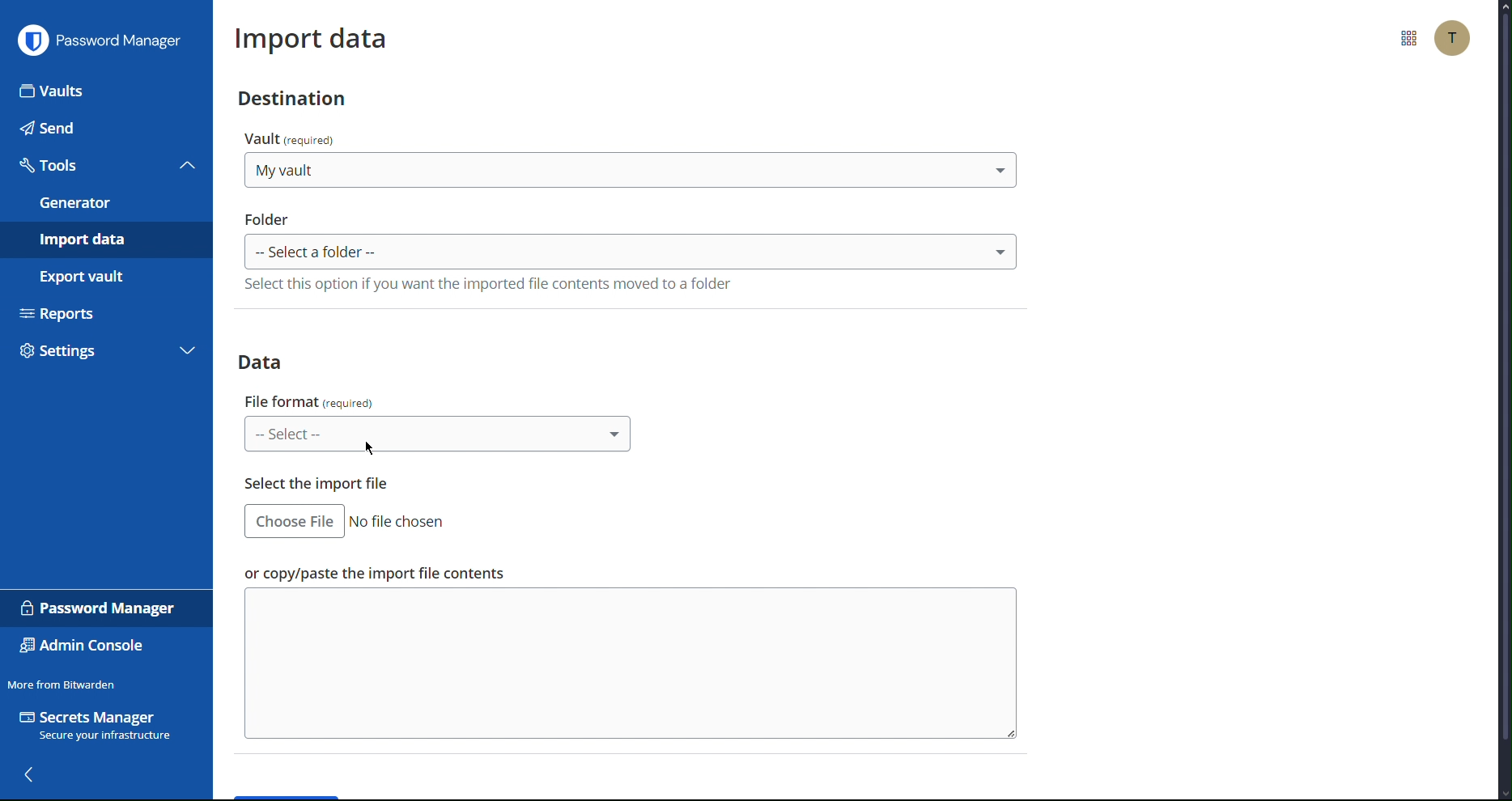 This screenshot has width=1512, height=801. I want to click on copy/paste the import file contents, so click(631, 663).